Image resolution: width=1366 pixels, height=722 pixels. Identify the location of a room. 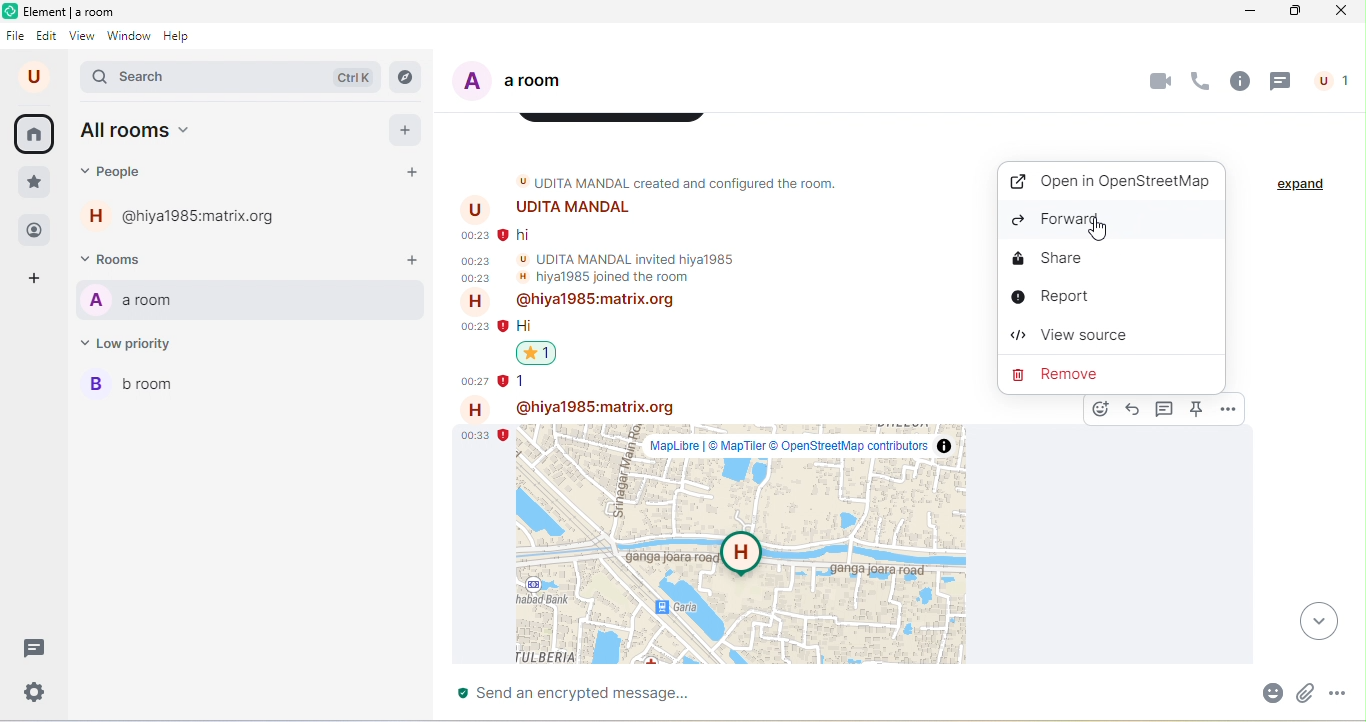
(130, 299).